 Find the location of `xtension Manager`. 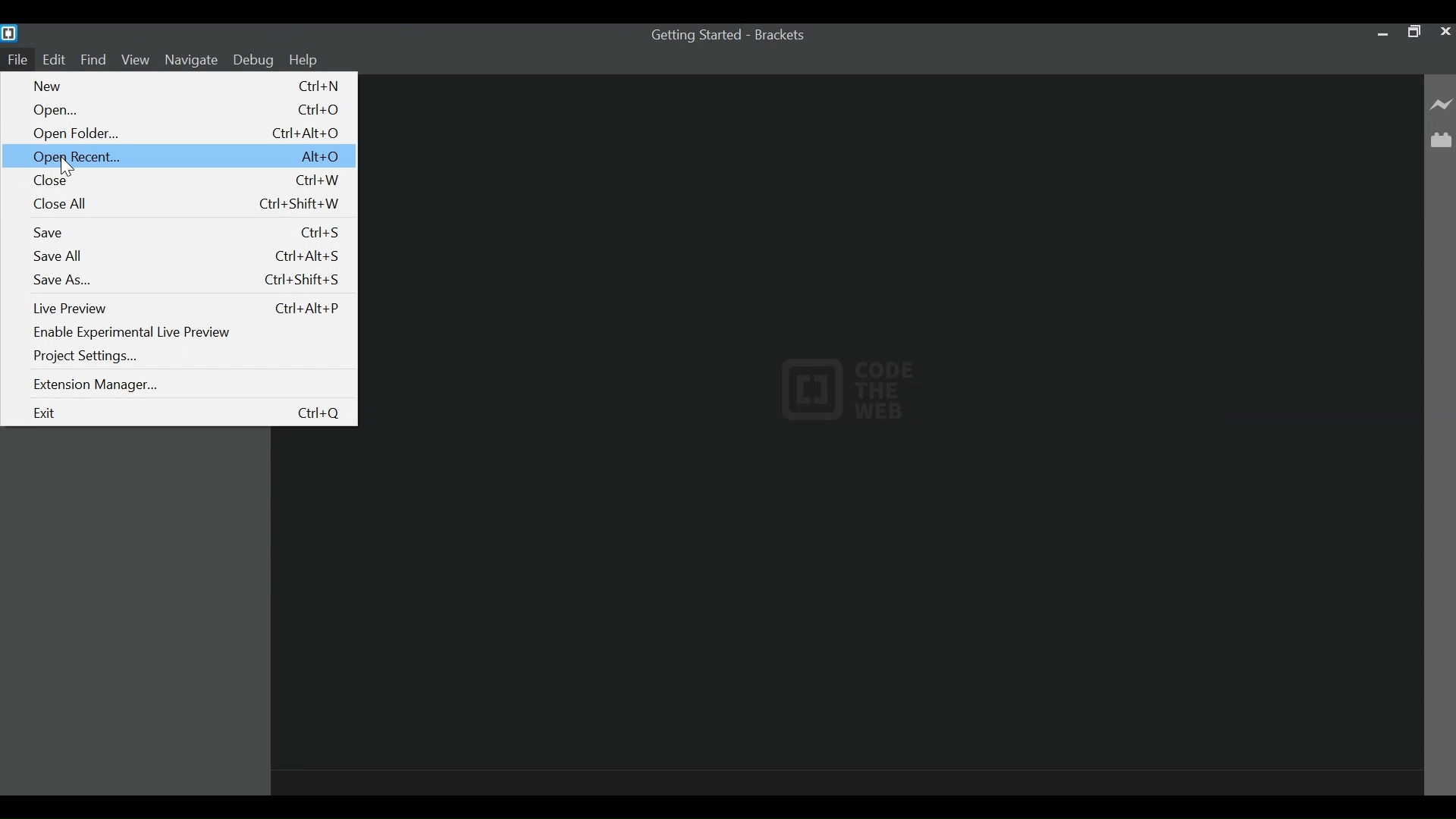

xtension Manager is located at coordinates (99, 386).